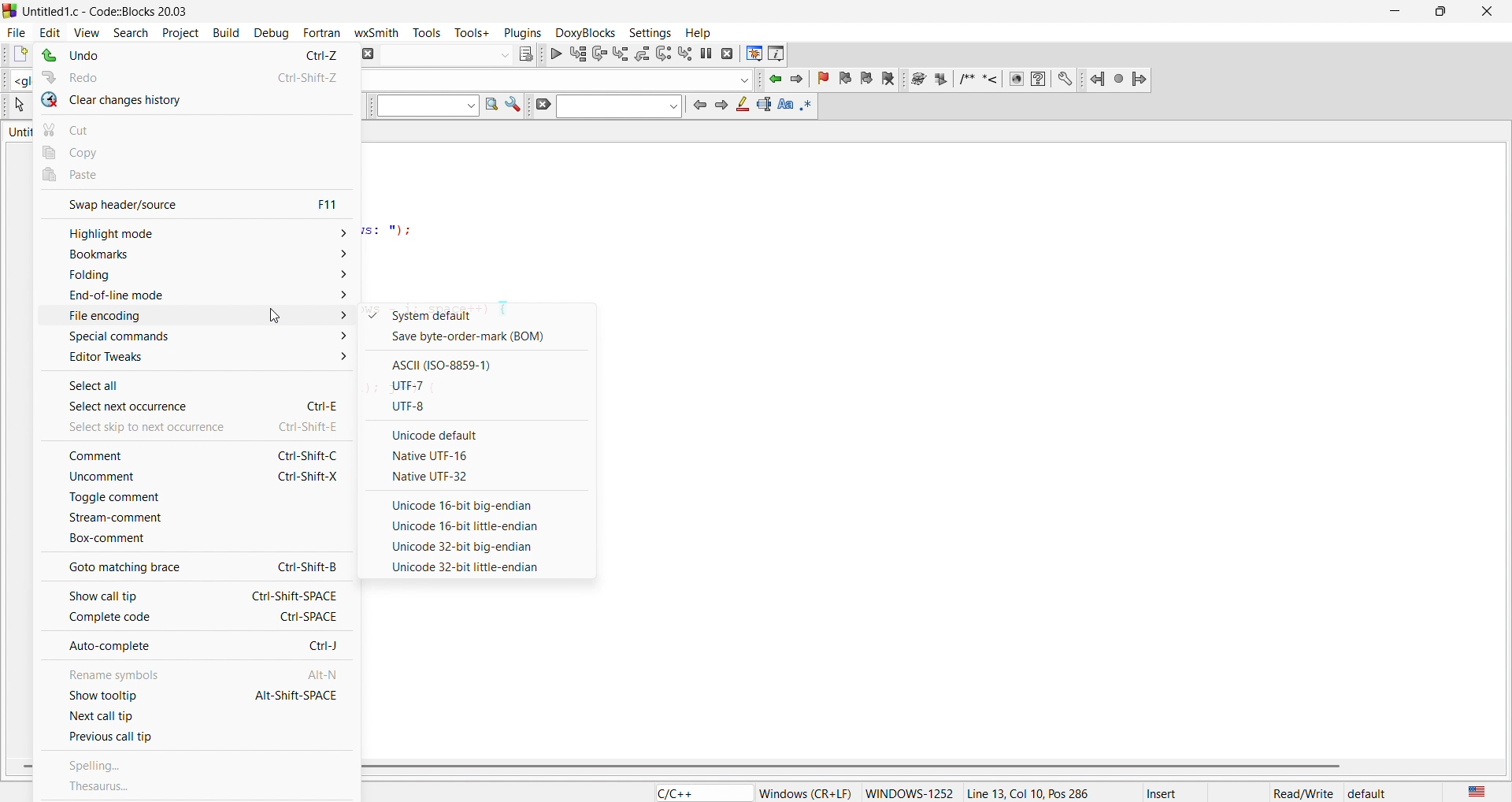 Image resolution: width=1512 pixels, height=802 pixels. Describe the element at coordinates (917, 79) in the screenshot. I see `run doxy wizard` at that location.